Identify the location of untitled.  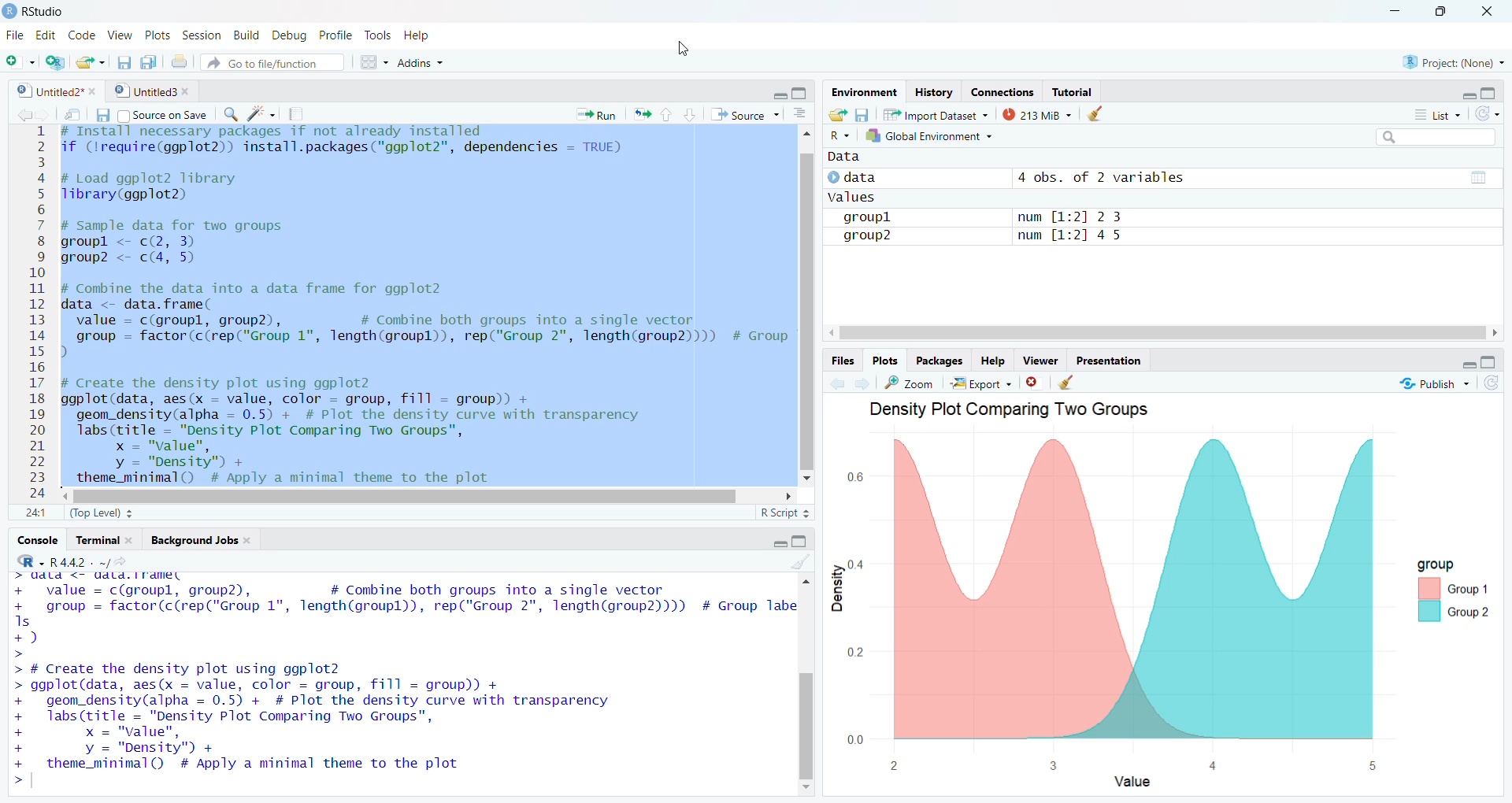
(150, 92).